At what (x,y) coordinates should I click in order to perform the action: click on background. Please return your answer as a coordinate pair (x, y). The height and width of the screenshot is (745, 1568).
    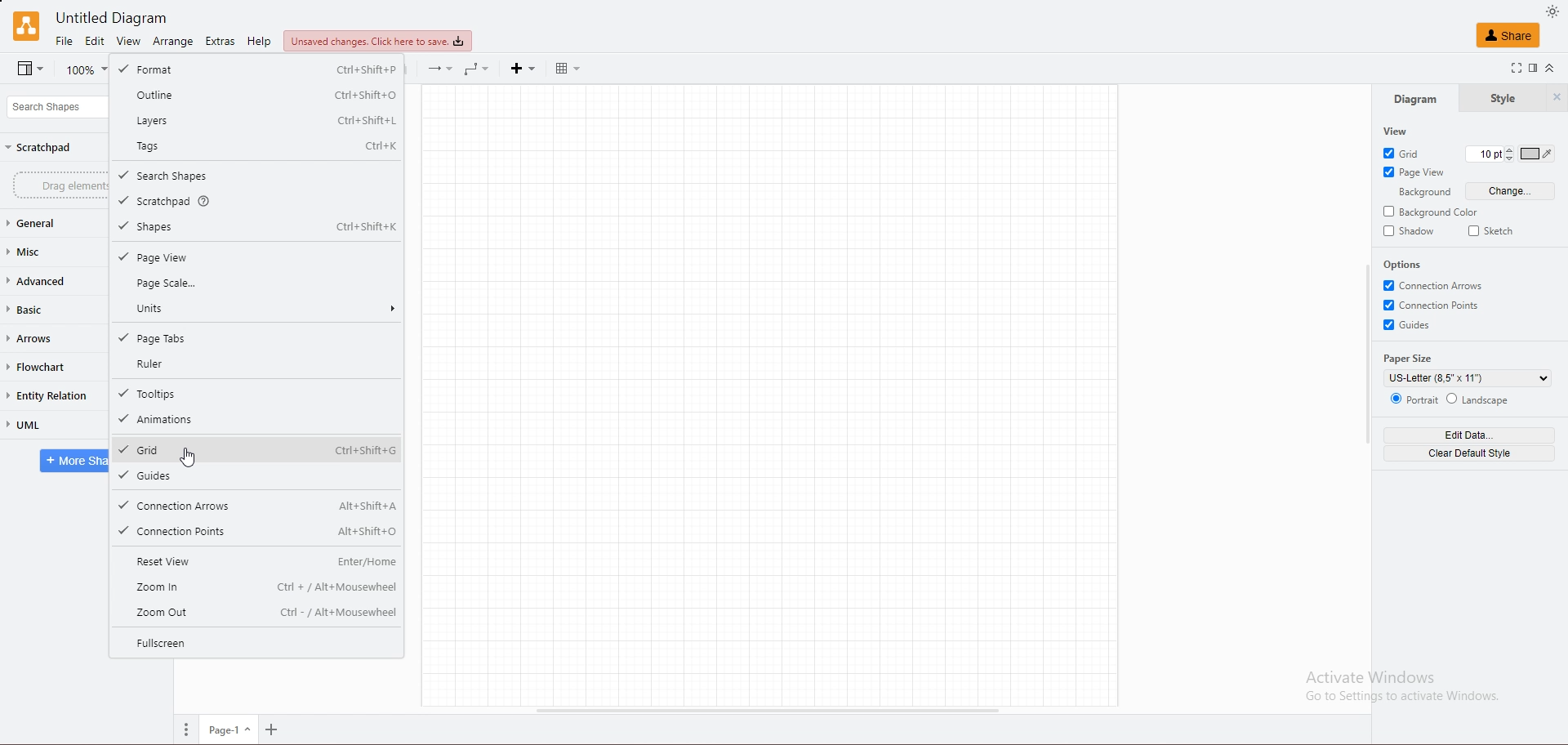
    Looking at the image, I should click on (1423, 193).